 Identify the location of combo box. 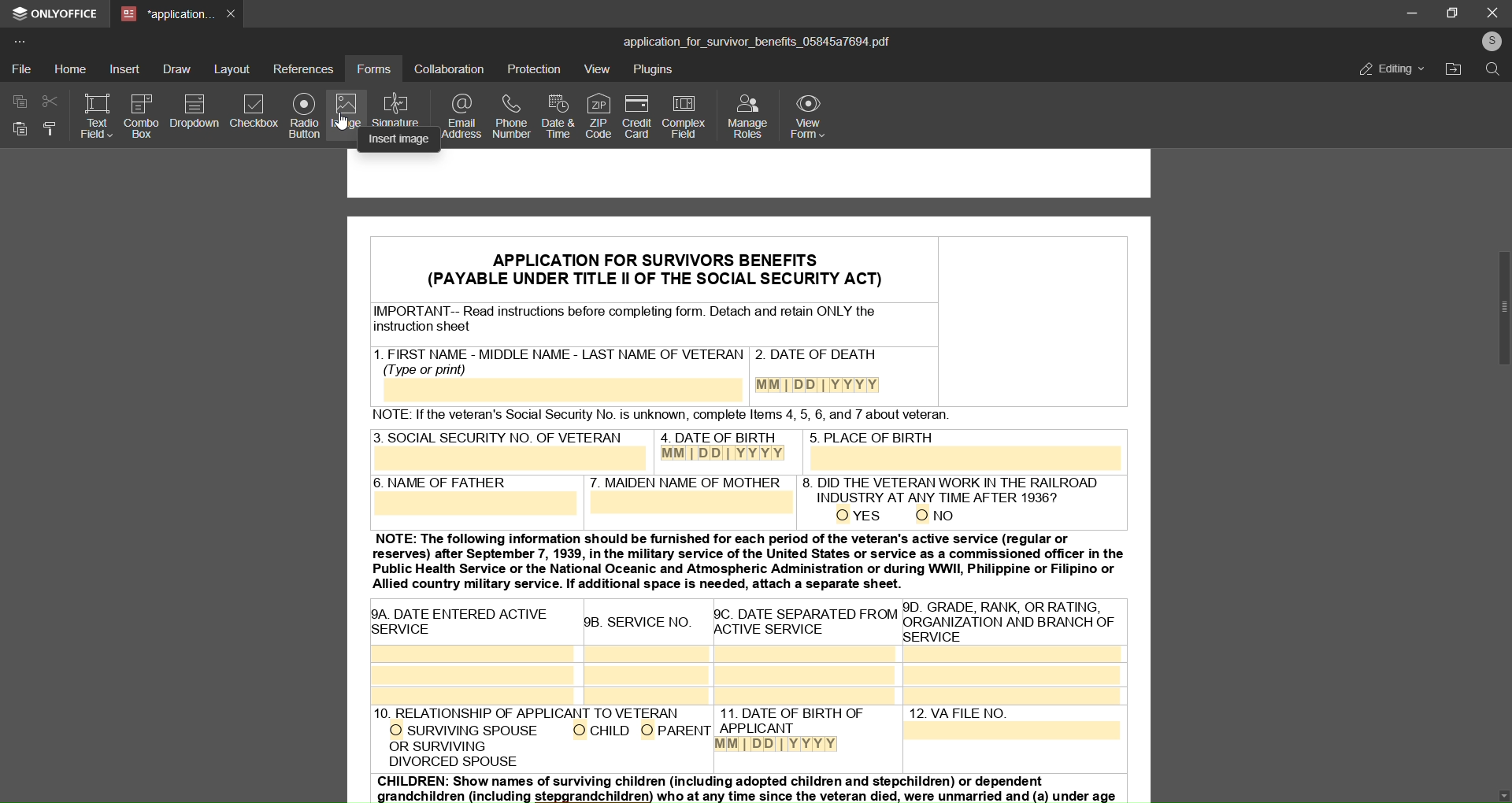
(142, 115).